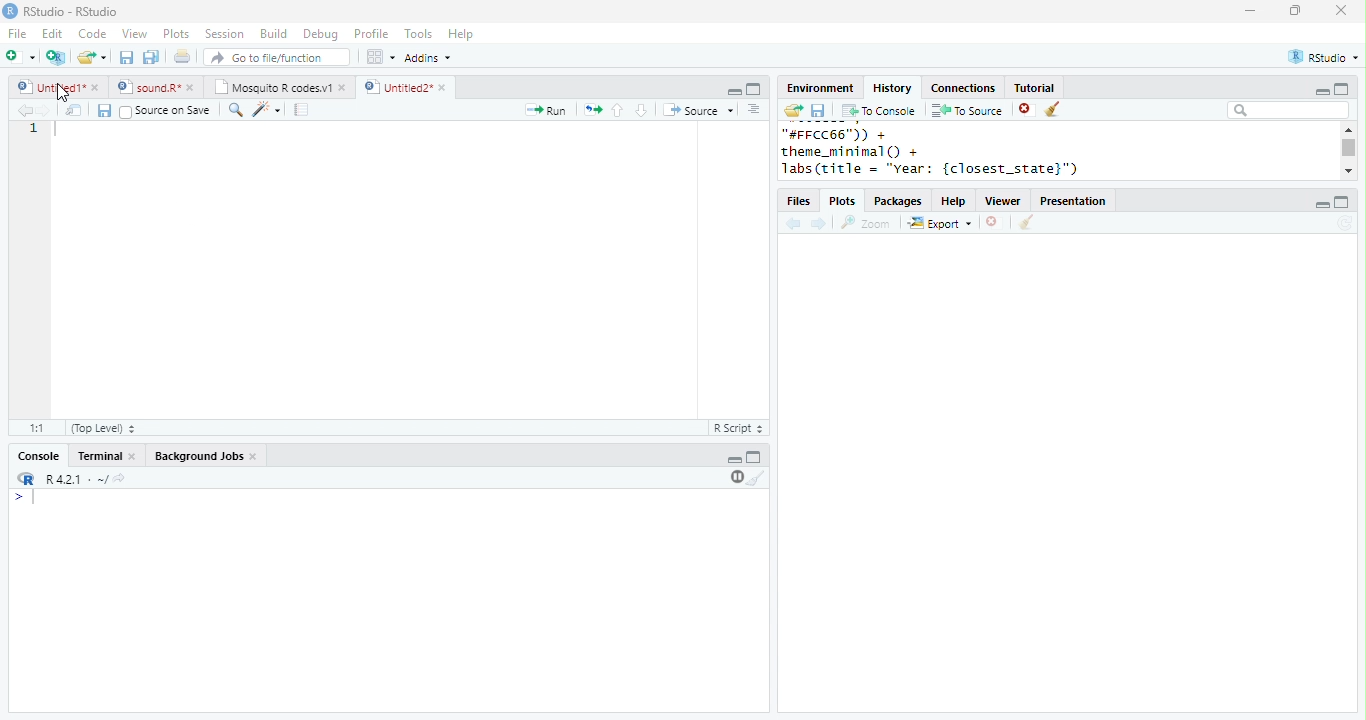  Describe the element at coordinates (151, 58) in the screenshot. I see `save all` at that location.